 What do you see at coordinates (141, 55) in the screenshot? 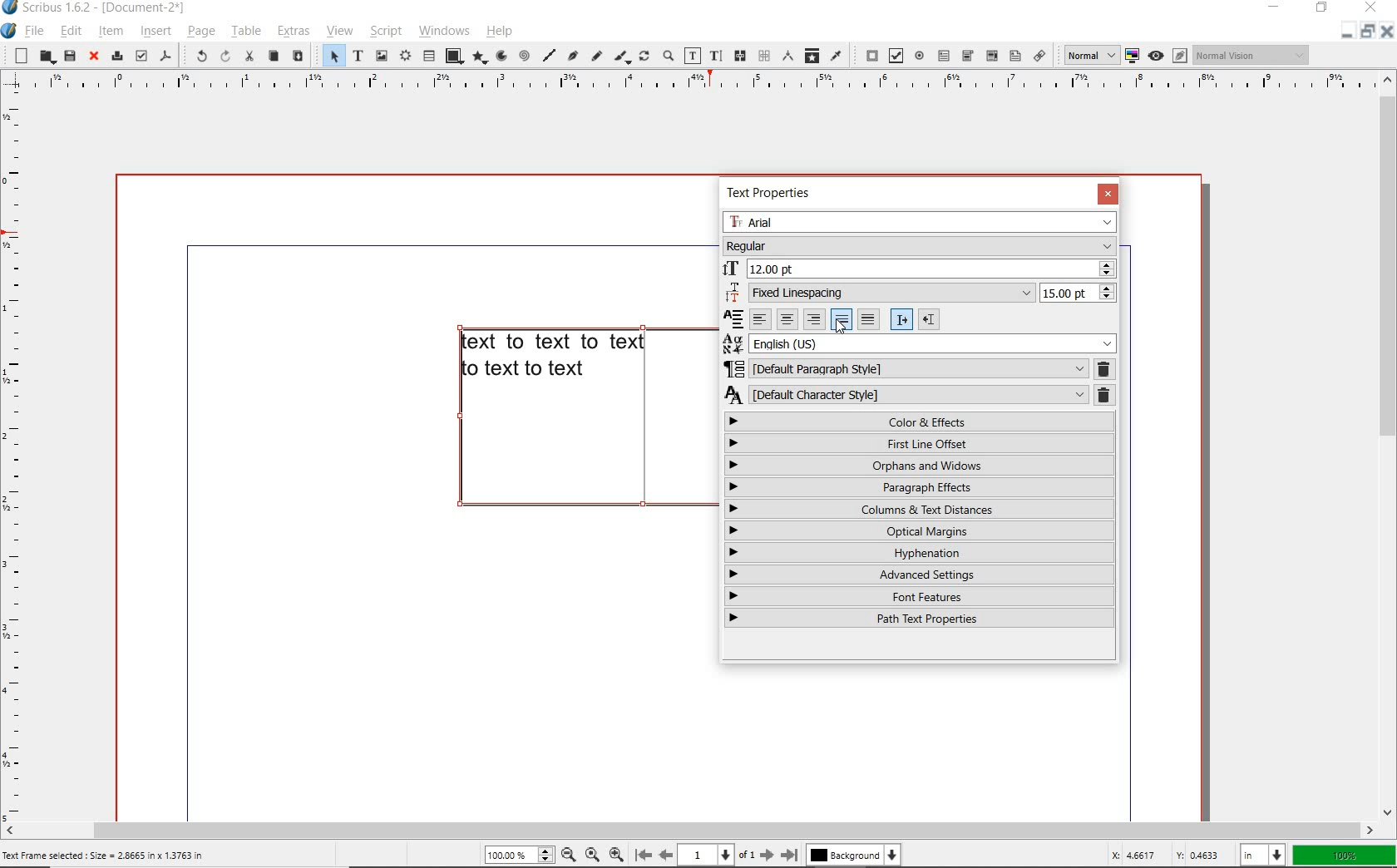
I see `preflight verifier` at bounding box center [141, 55].